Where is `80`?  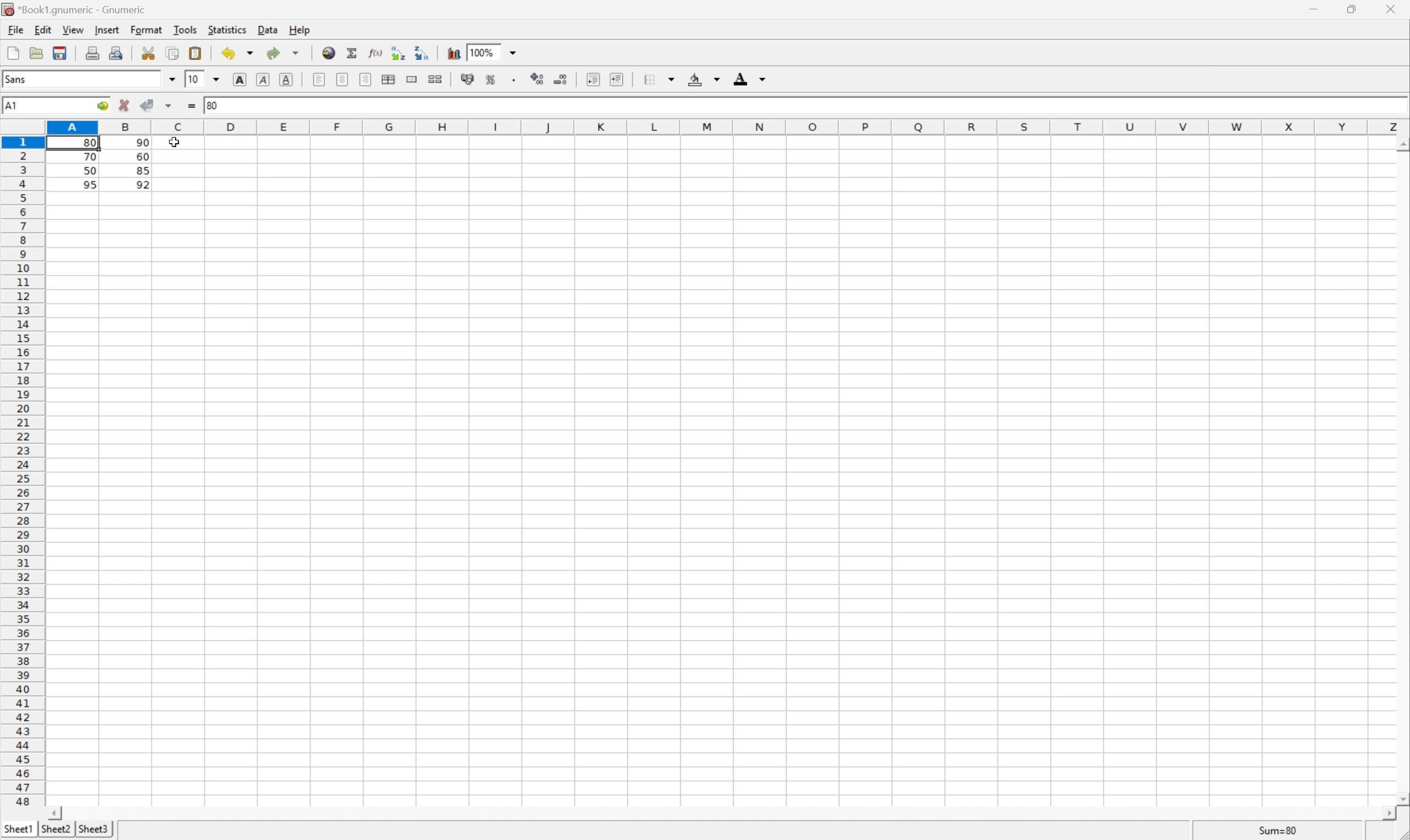 80 is located at coordinates (93, 140).